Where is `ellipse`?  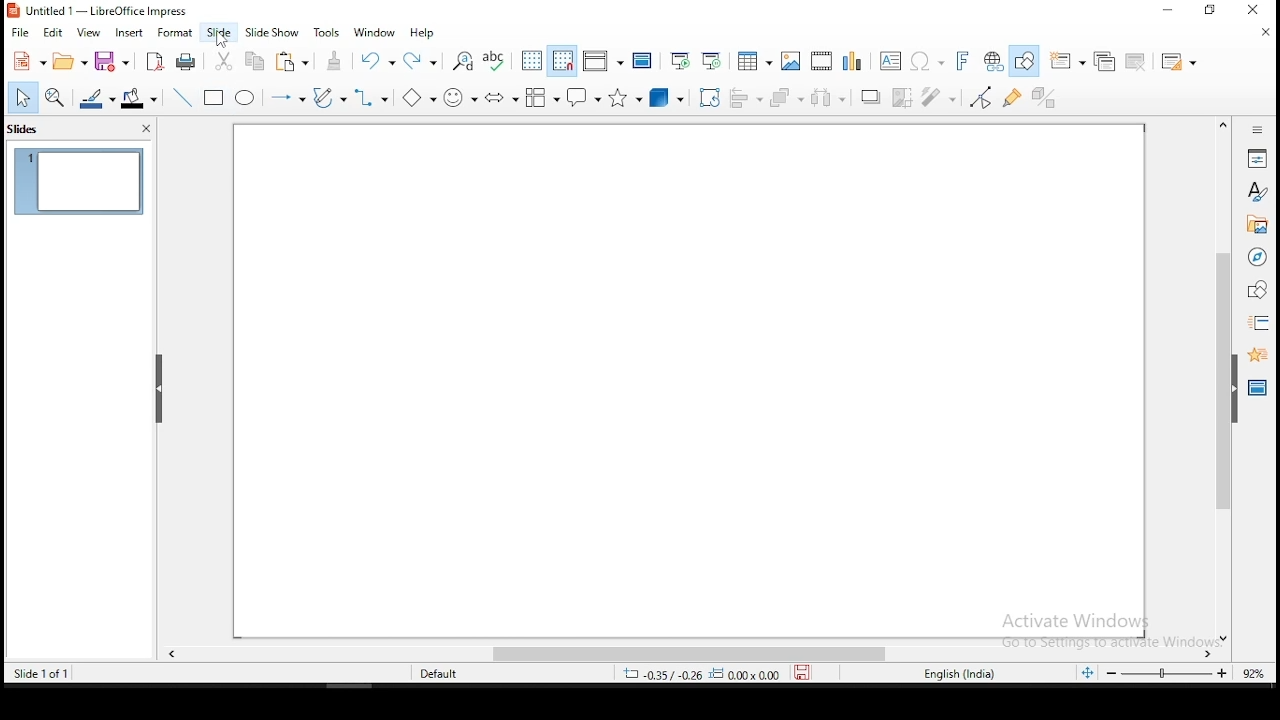 ellipse is located at coordinates (246, 98).